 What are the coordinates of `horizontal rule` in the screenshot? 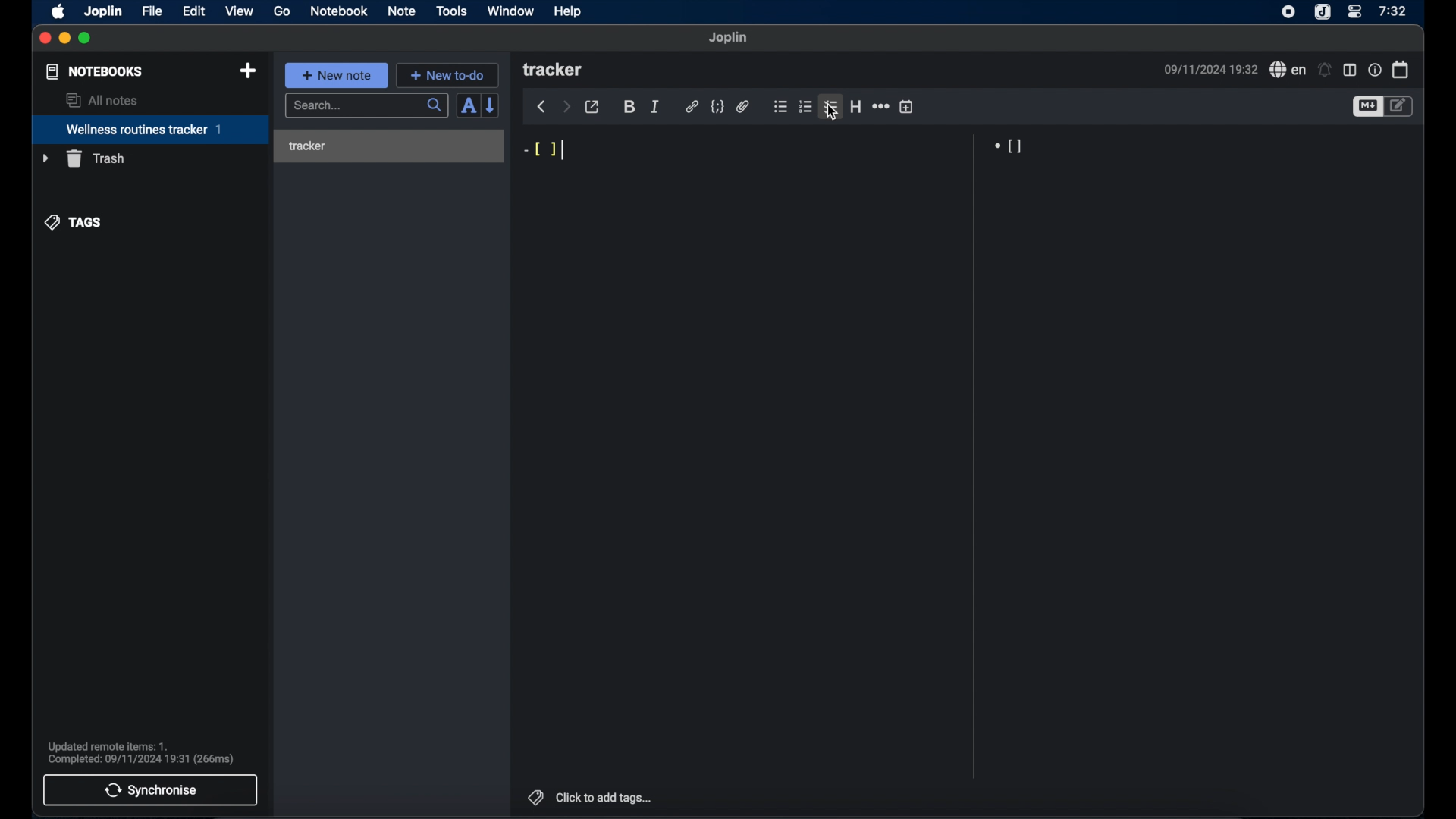 It's located at (880, 106).